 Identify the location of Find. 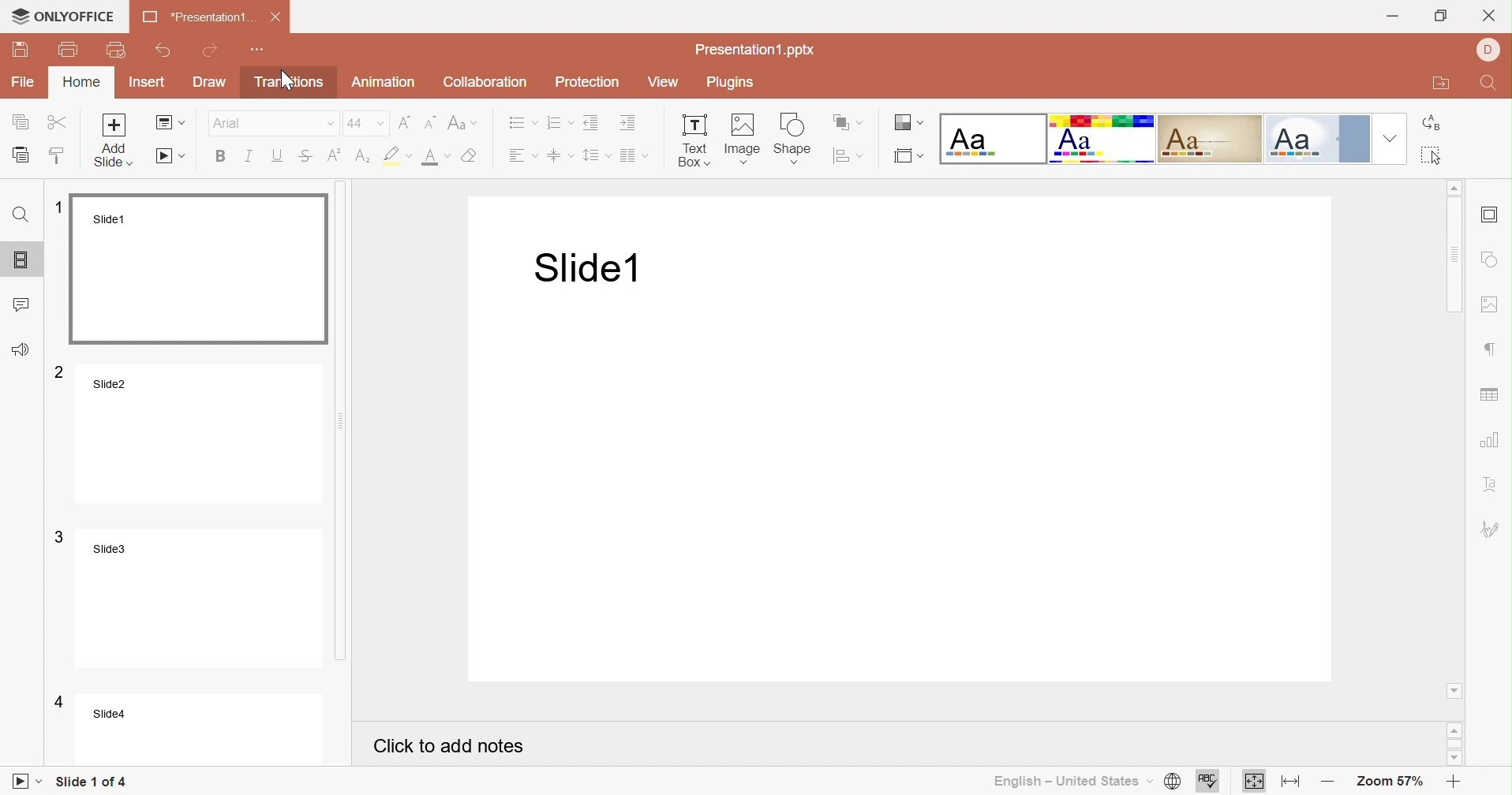
(22, 220).